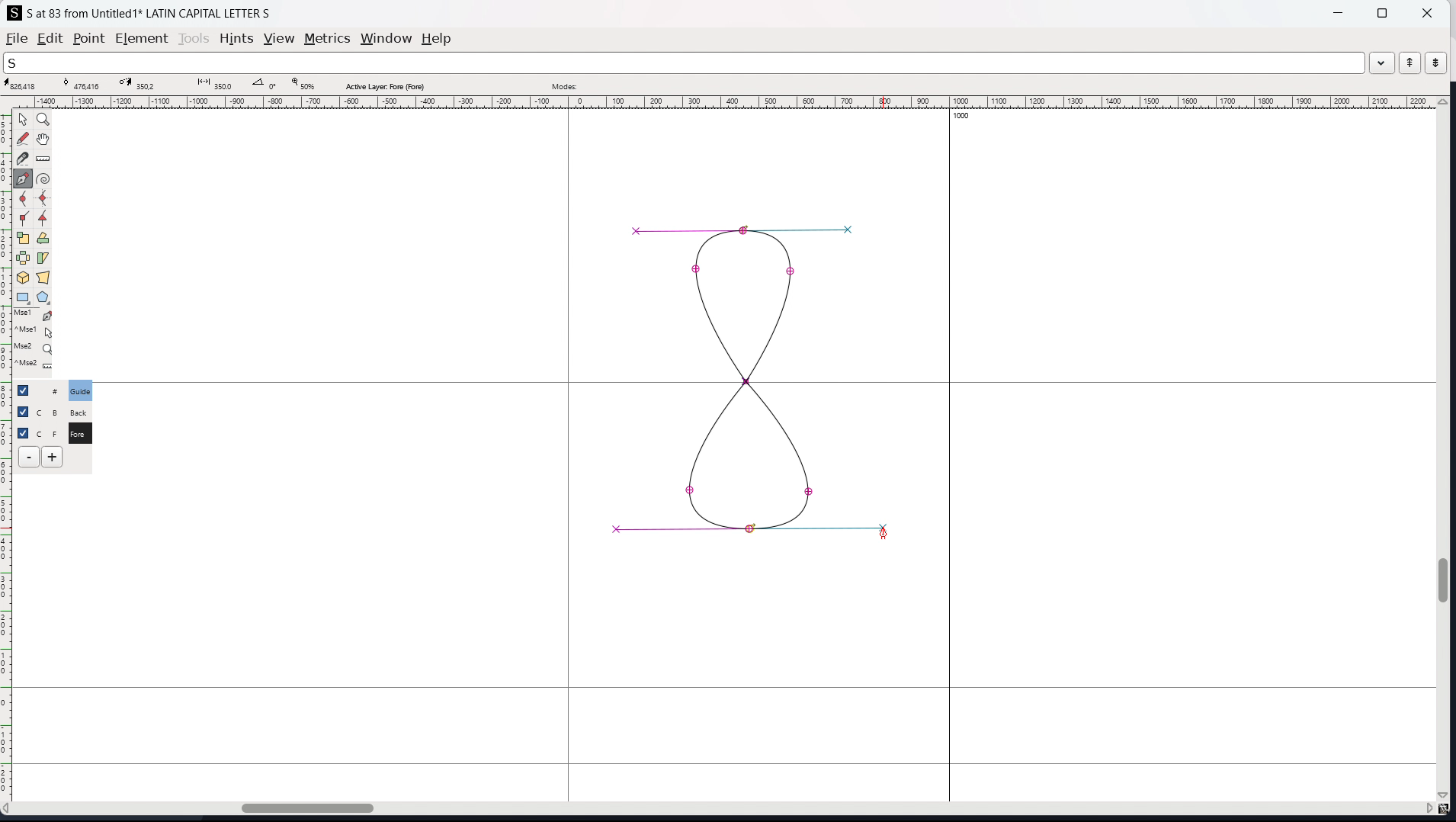 This screenshot has height=822, width=1456. Describe the element at coordinates (27, 390) in the screenshot. I see `checkbox` at that location.